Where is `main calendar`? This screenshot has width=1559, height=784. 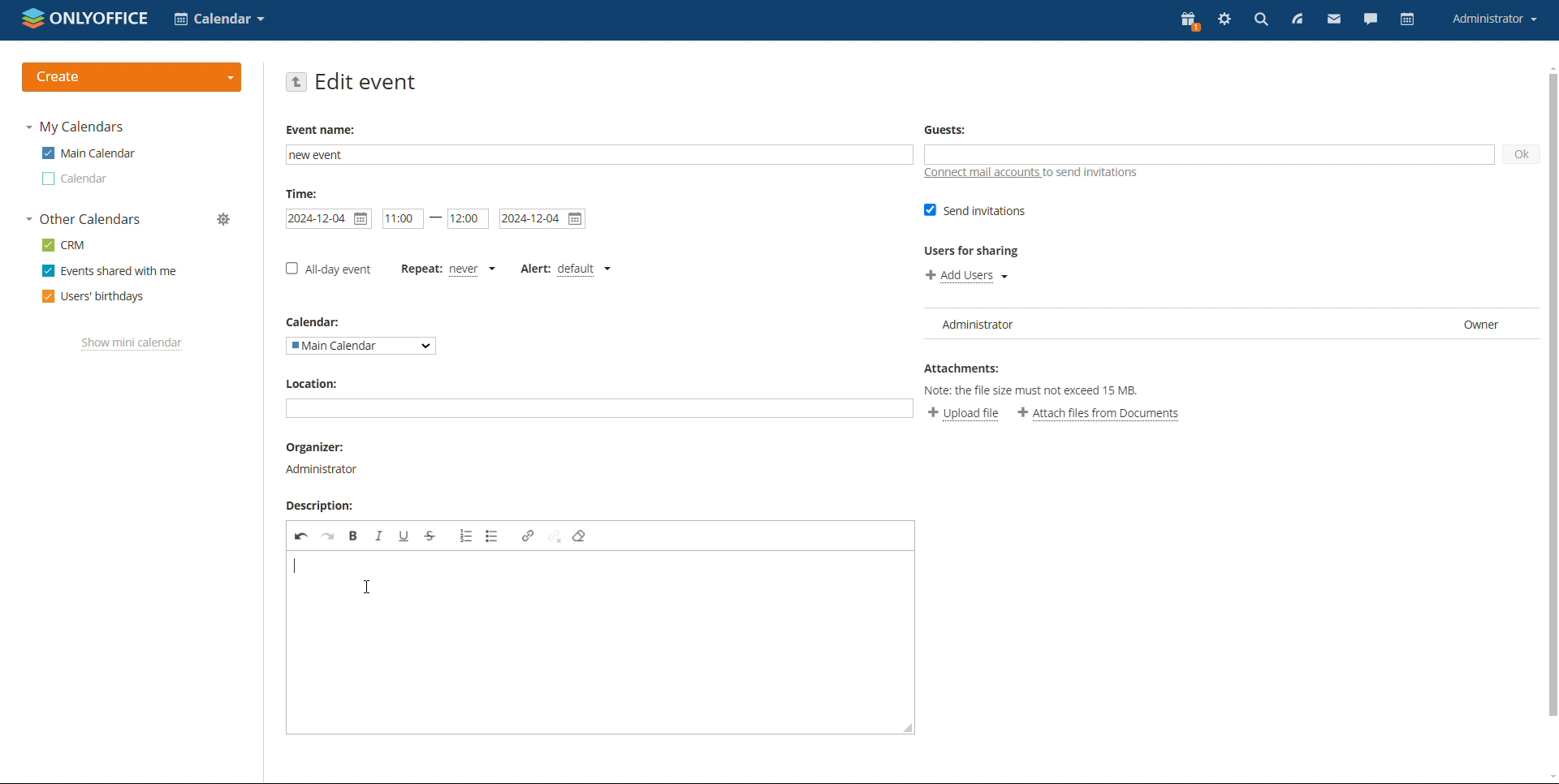 main calendar is located at coordinates (87, 153).